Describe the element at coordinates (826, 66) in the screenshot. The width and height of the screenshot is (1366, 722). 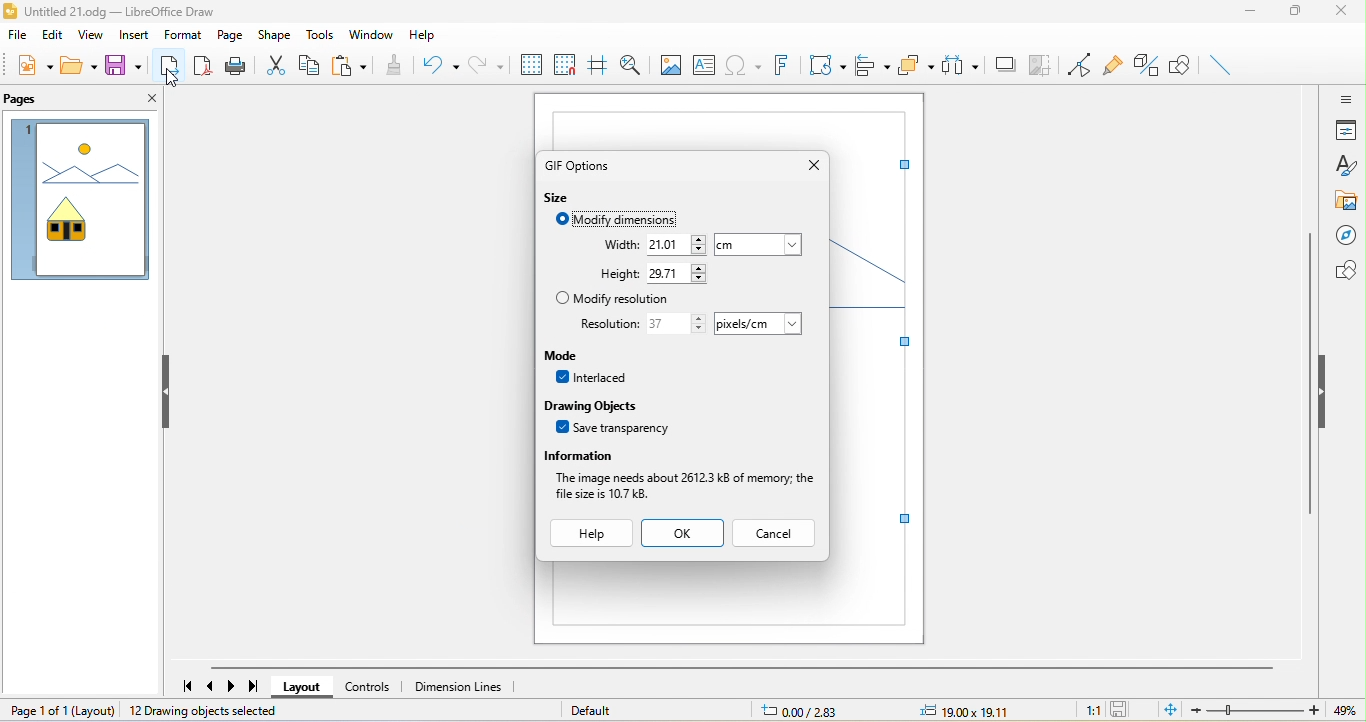
I see `transformations` at that location.